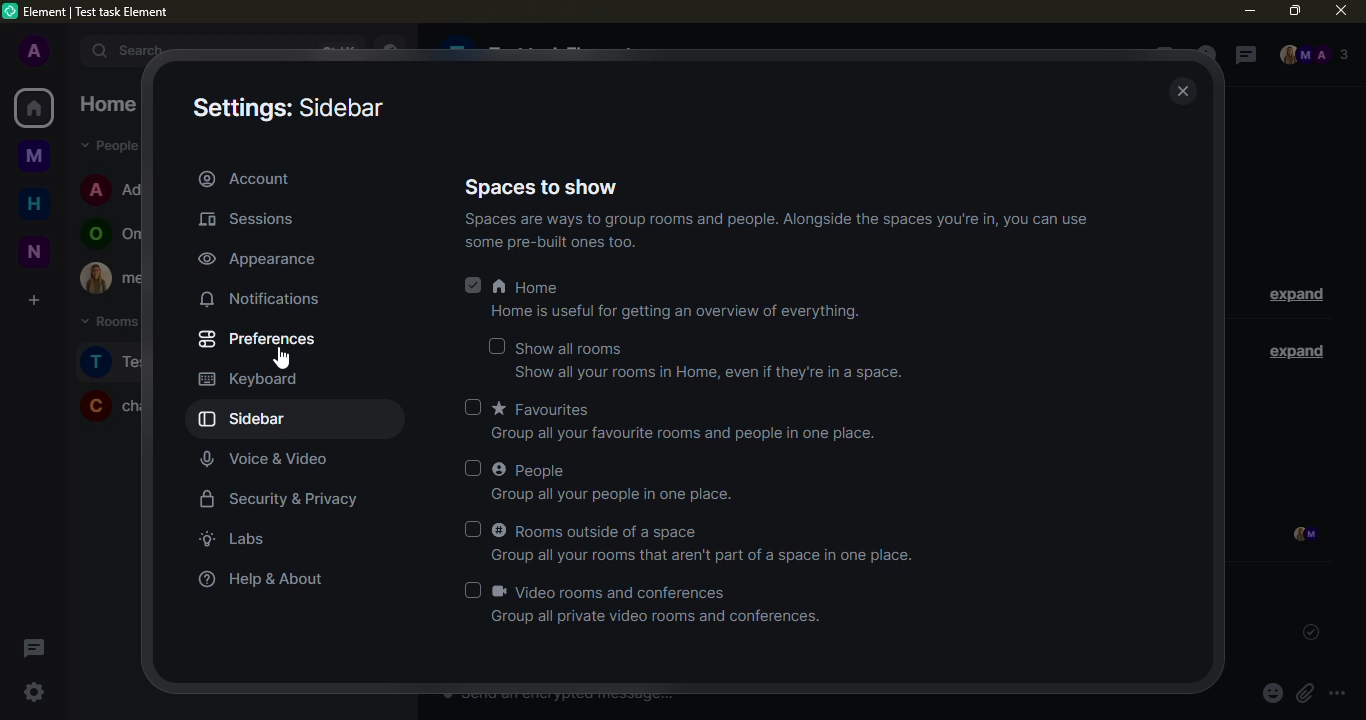 This screenshot has width=1366, height=720. I want to click on help, so click(256, 579).